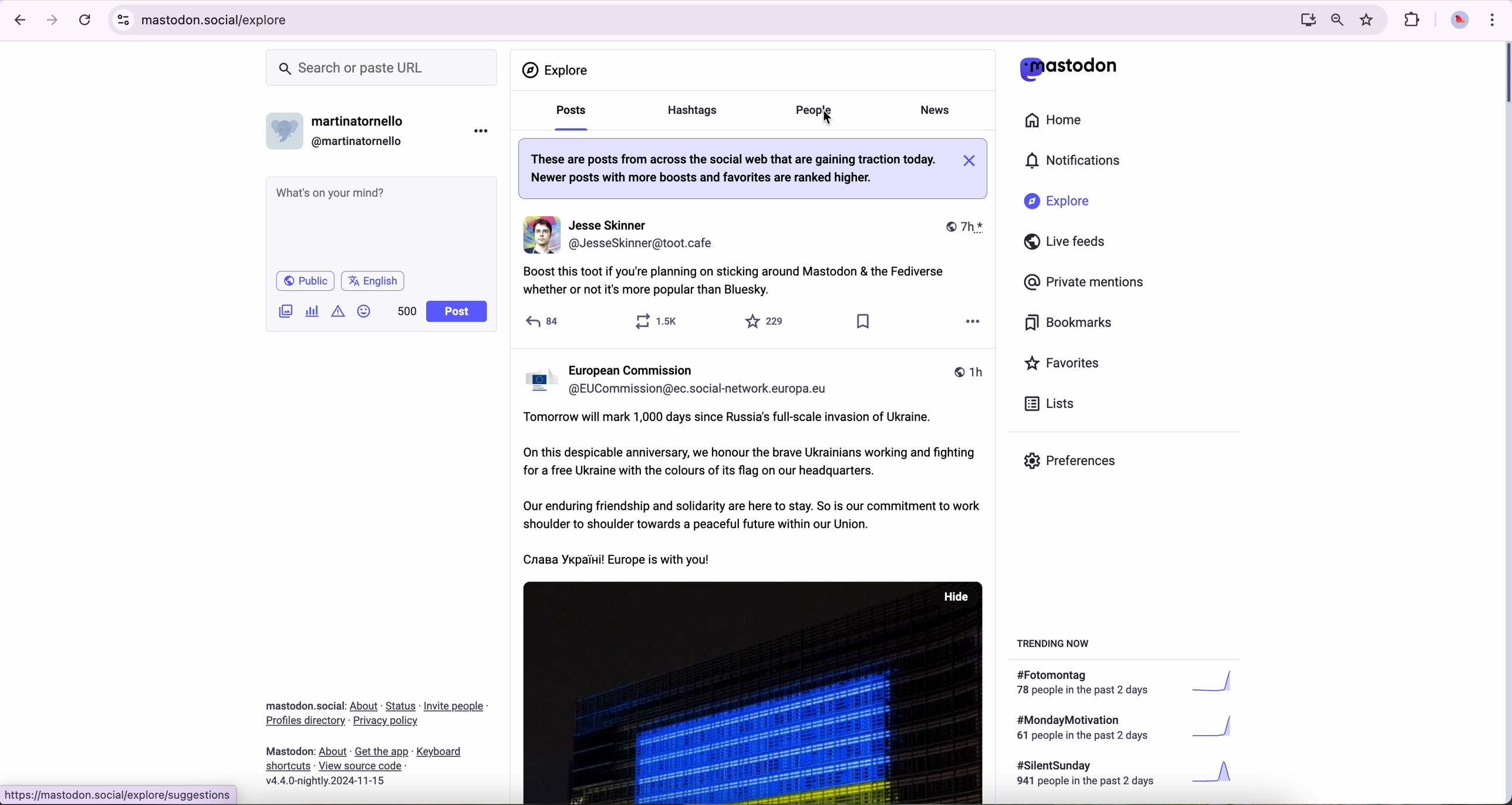  What do you see at coordinates (831, 117) in the screenshot?
I see `cursor` at bounding box center [831, 117].